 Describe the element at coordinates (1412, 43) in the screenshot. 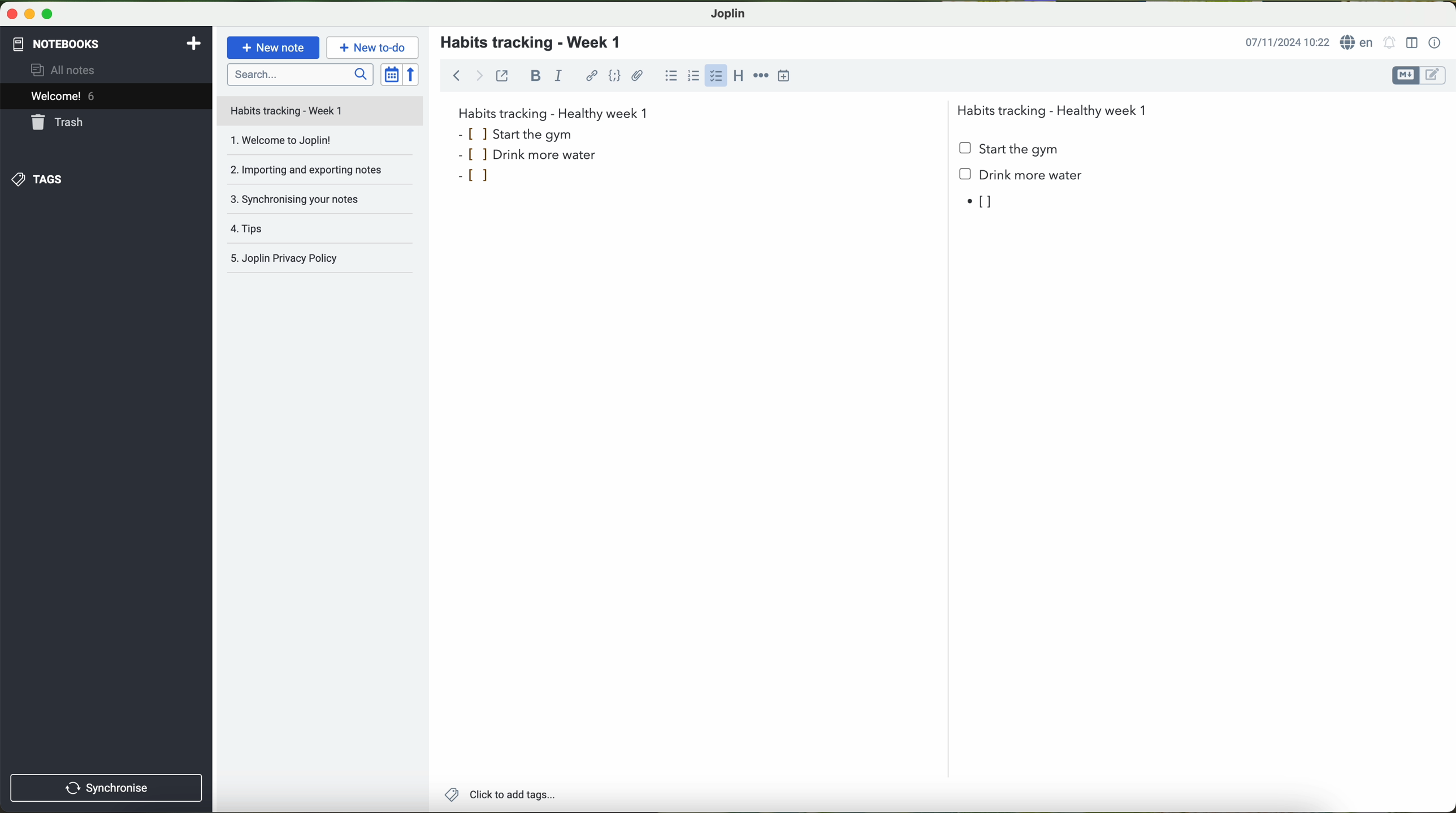

I see `toggle editor layout` at that location.